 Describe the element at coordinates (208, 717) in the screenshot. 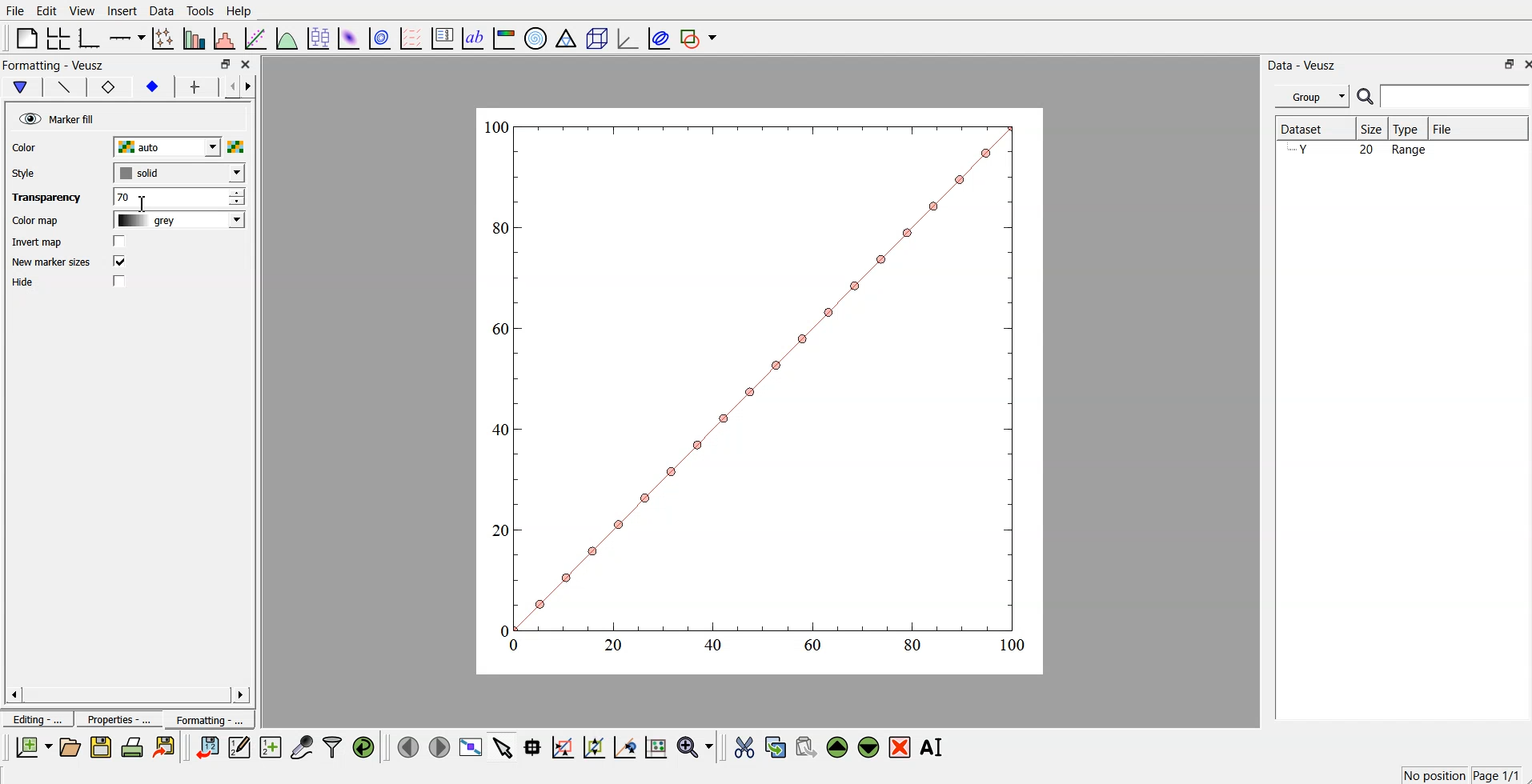

I see `Formatting` at that location.